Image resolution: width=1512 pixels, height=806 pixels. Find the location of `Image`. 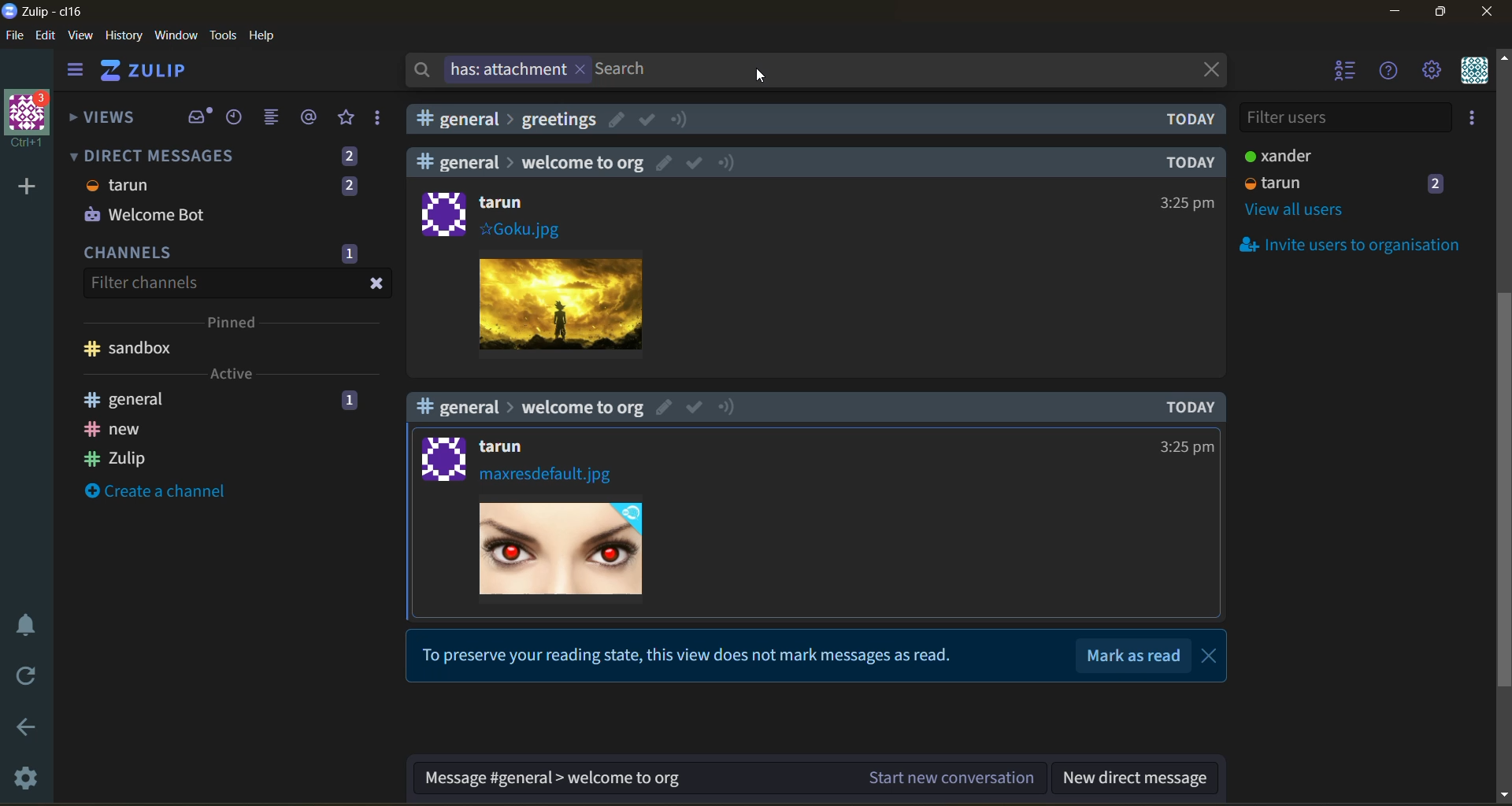

Image is located at coordinates (561, 301).